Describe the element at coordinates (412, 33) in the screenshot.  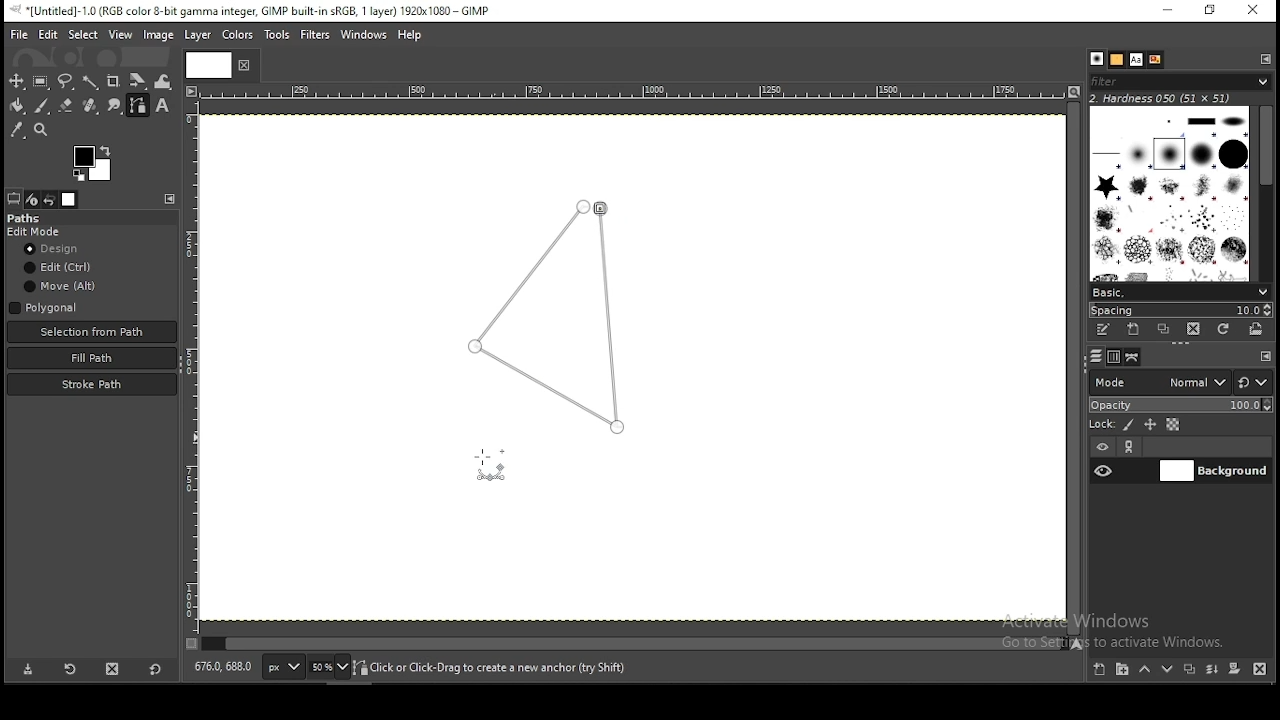
I see `help` at that location.